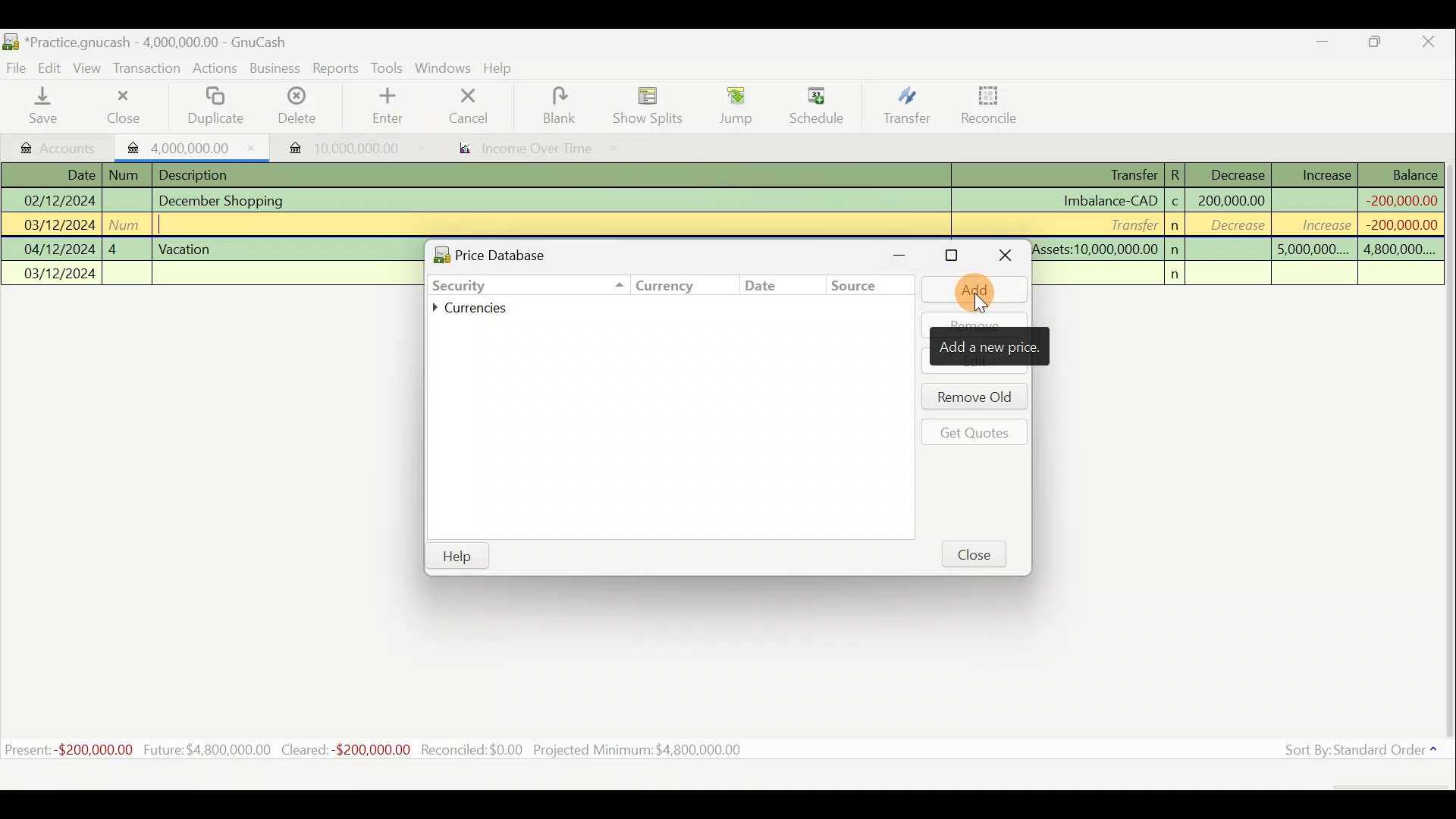 The width and height of the screenshot is (1456, 819). Describe the element at coordinates (60, 249) in the screenshot. I see `04/12/2024` at that location.